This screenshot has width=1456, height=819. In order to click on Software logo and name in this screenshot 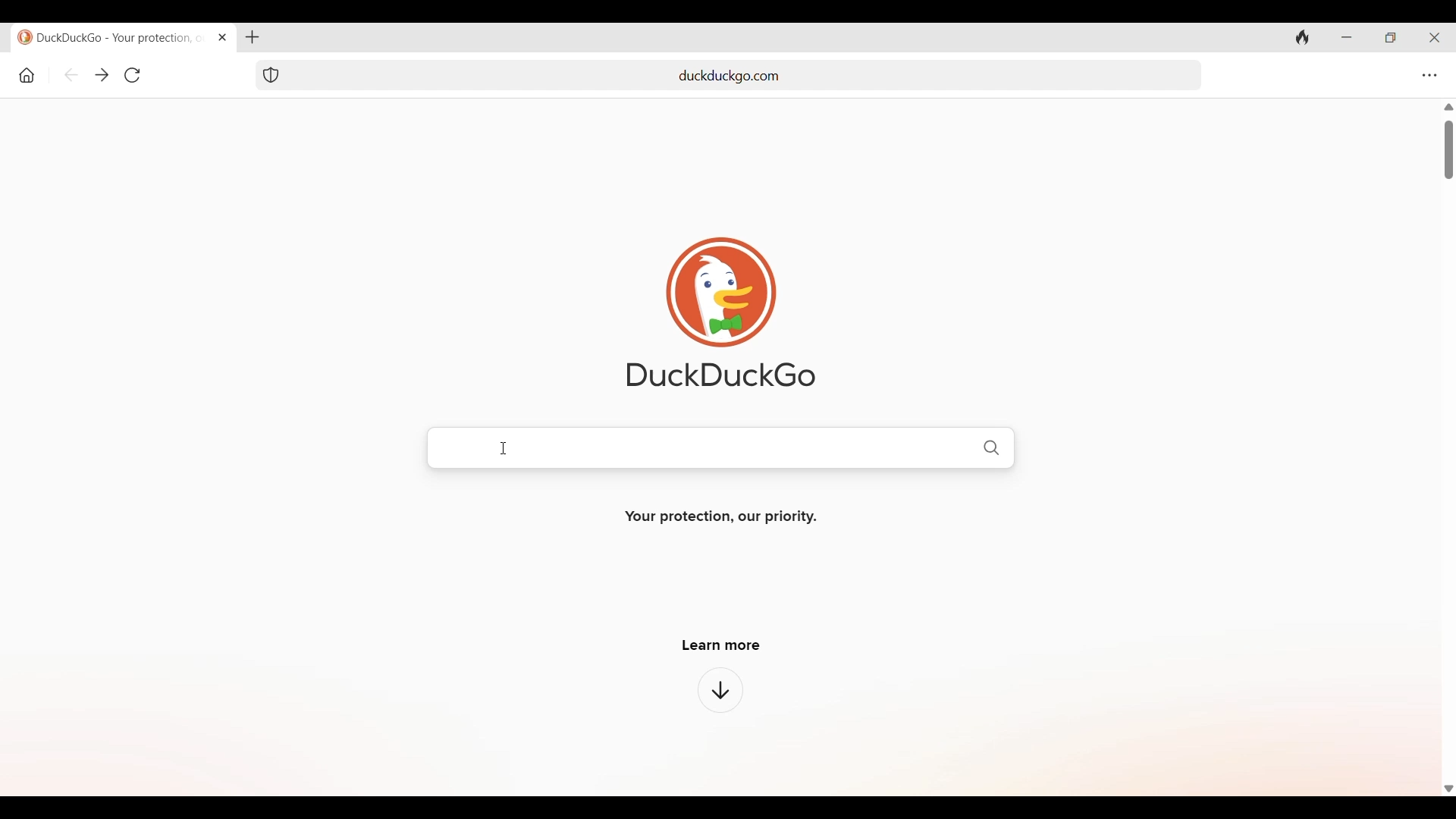, I will do `click(723, 312)`.